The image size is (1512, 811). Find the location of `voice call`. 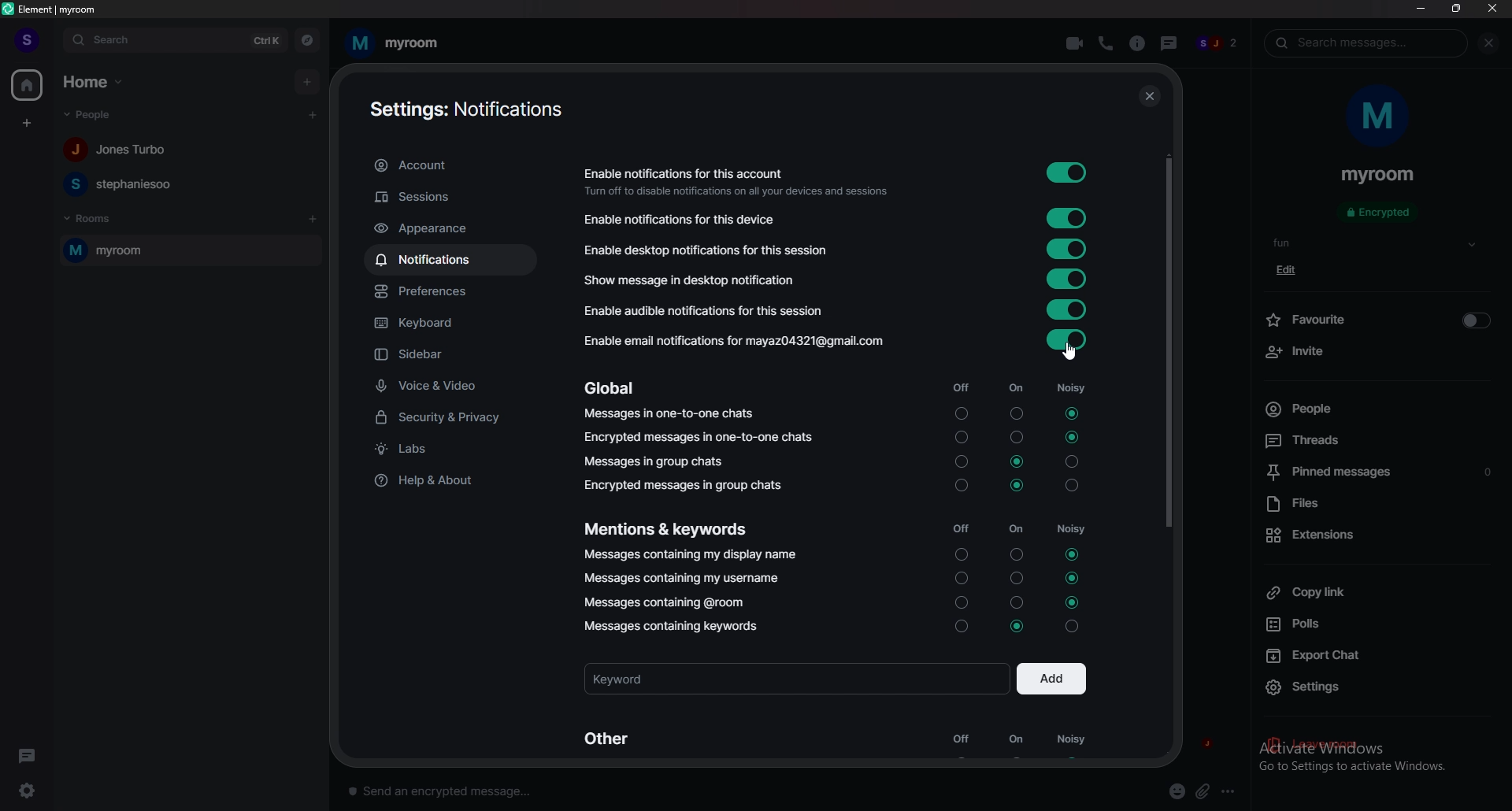

voice call is located at coordinates (1105, 43).